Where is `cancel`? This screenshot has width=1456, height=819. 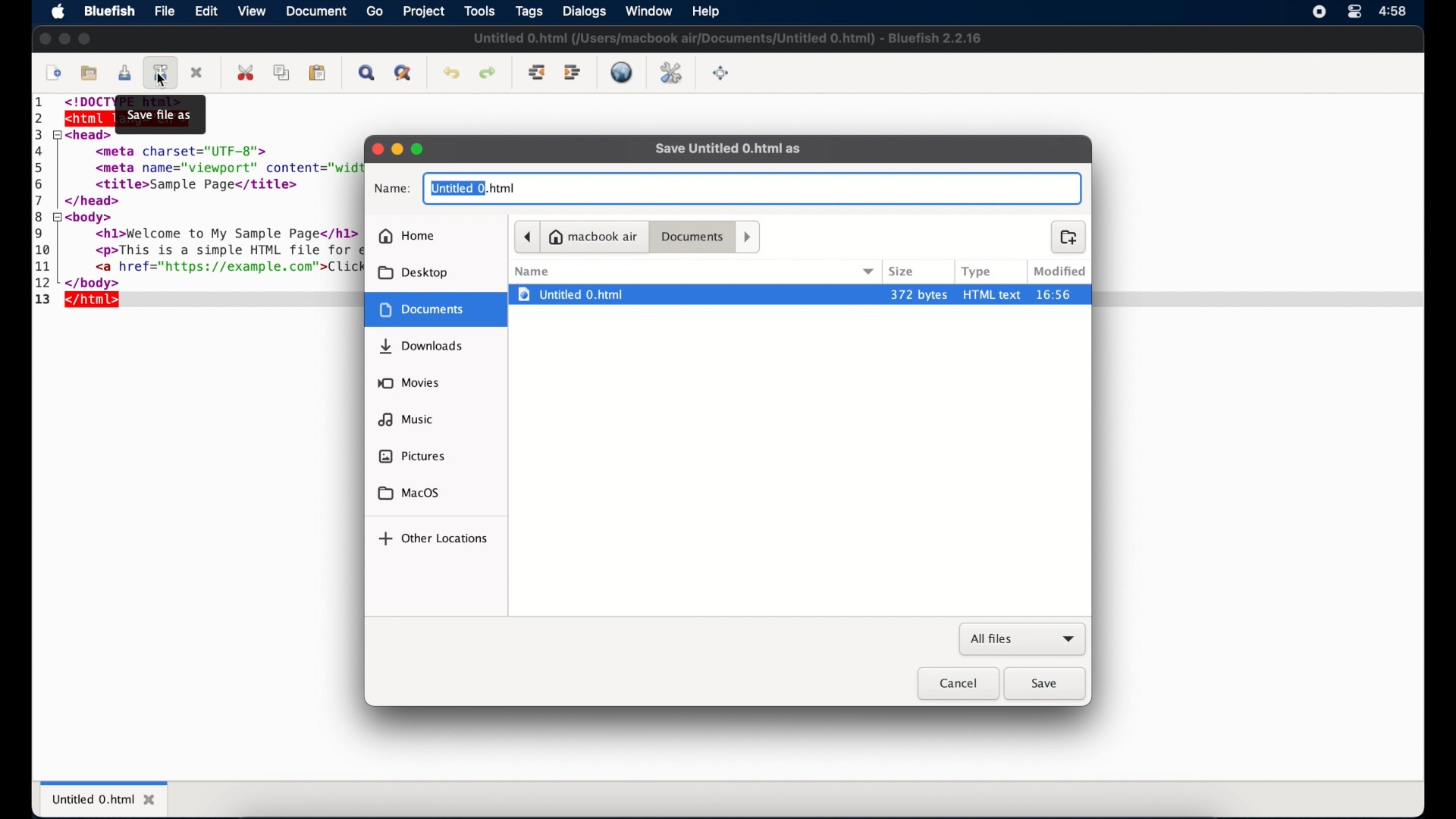
cancel is located at coordinates (958, 684).